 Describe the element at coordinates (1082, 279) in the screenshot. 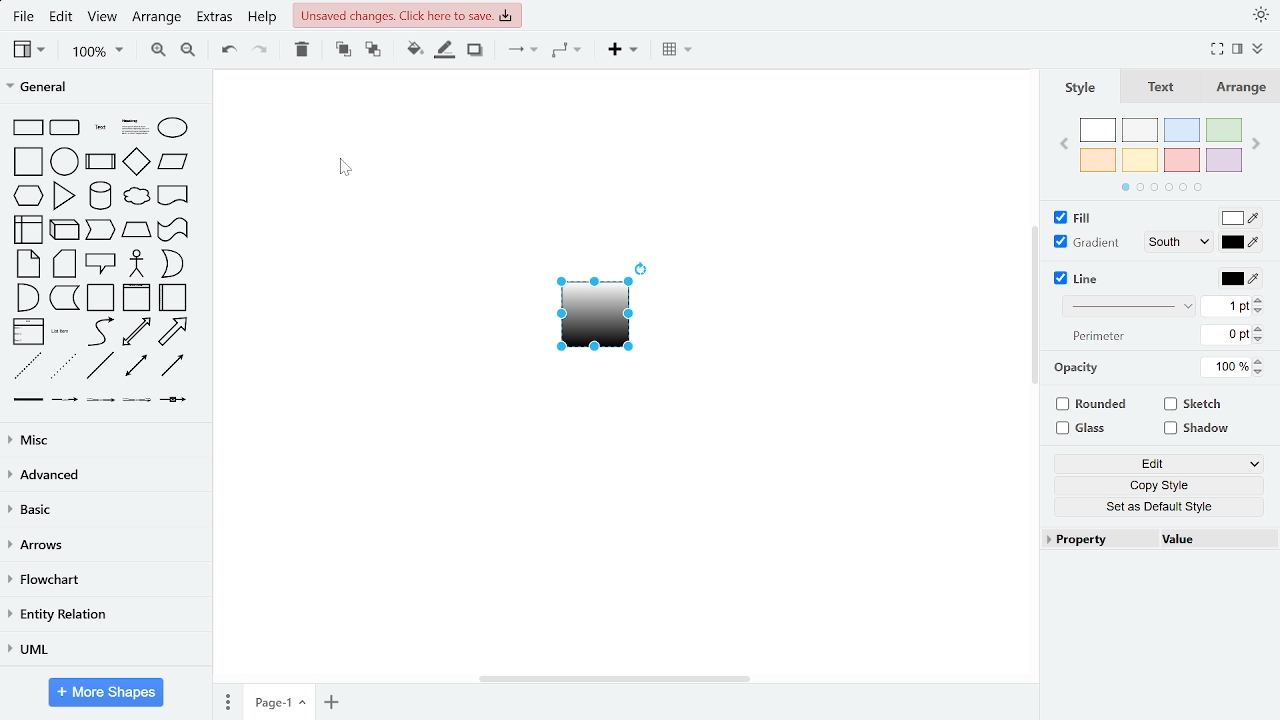

I see `line` at that location.